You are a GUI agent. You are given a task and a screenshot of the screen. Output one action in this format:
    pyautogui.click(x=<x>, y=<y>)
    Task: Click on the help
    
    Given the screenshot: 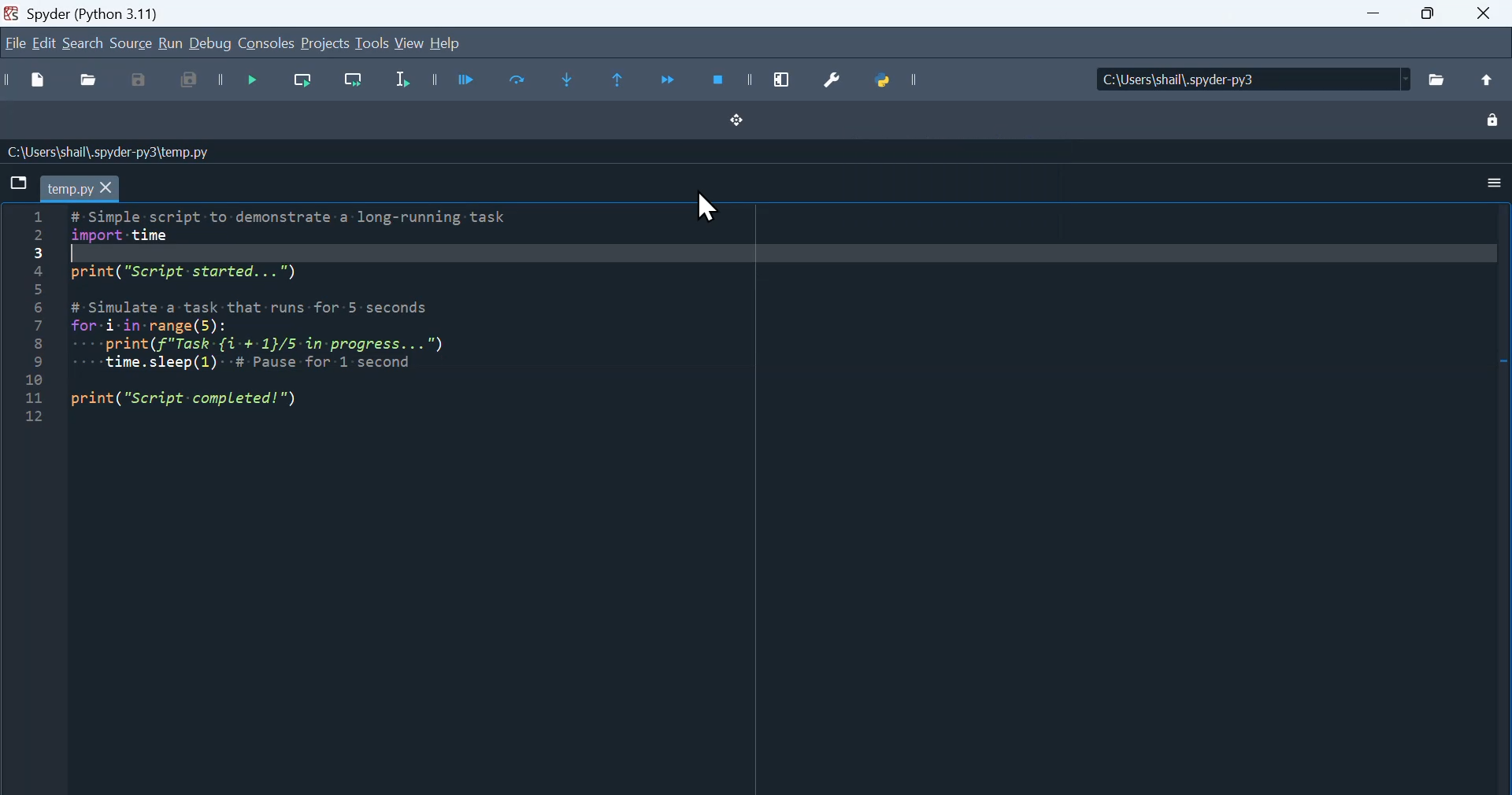 What is the action you would take?
    pyautogui.click(x=458, y=39)
    